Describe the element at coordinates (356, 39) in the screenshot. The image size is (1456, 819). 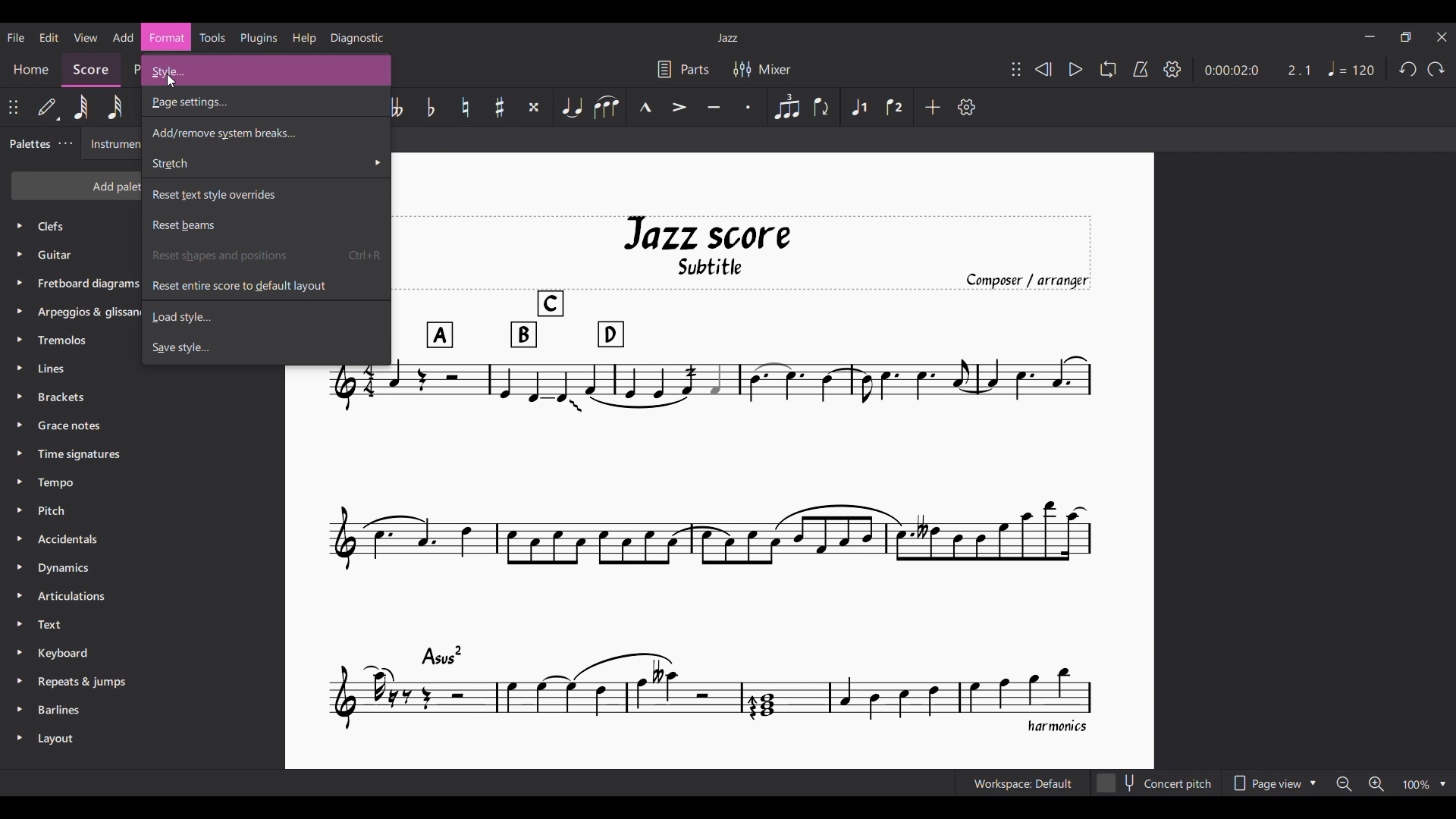
I see `Diagnostic menu` at that location.